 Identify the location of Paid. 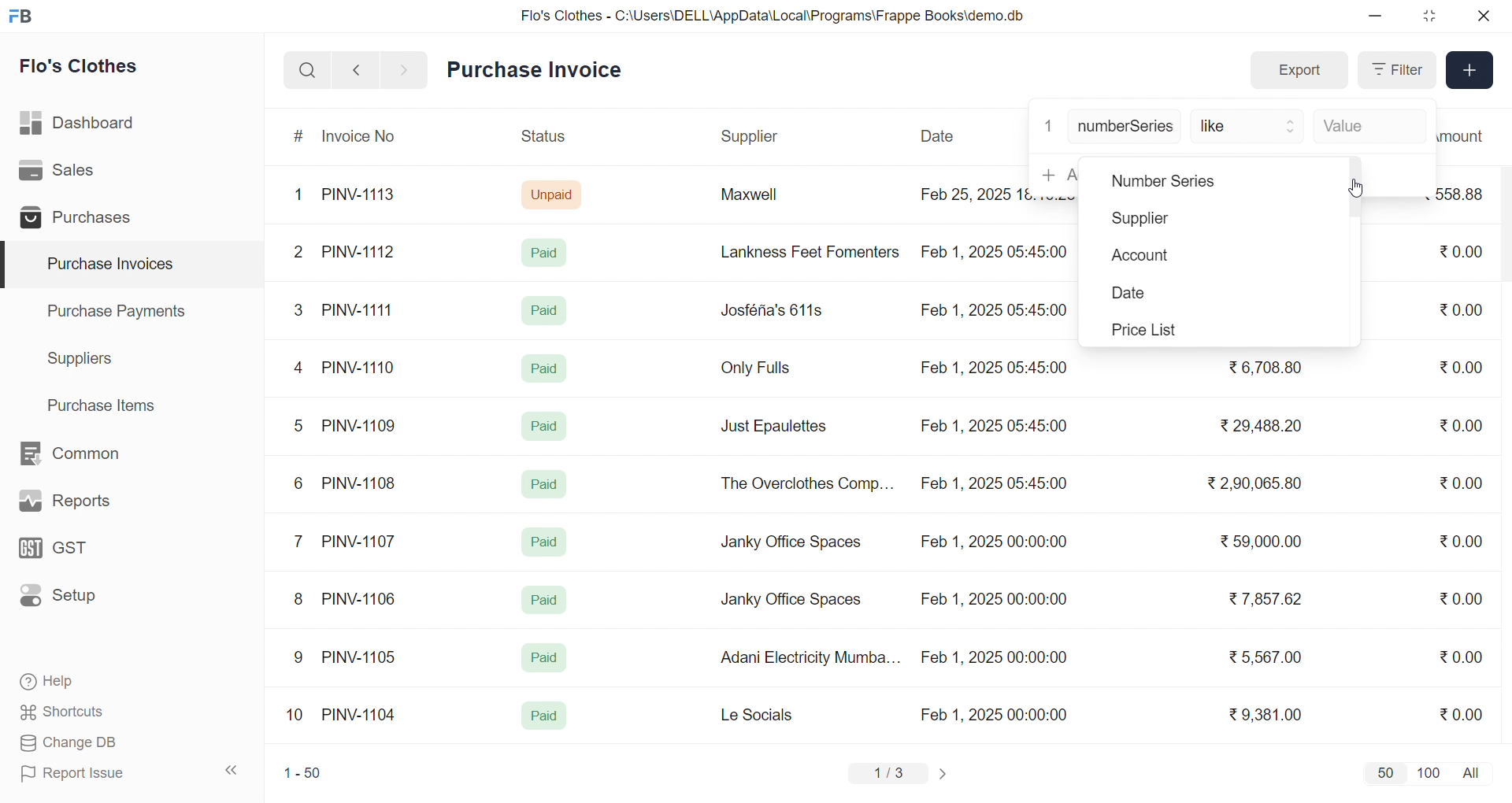
(548, 252).